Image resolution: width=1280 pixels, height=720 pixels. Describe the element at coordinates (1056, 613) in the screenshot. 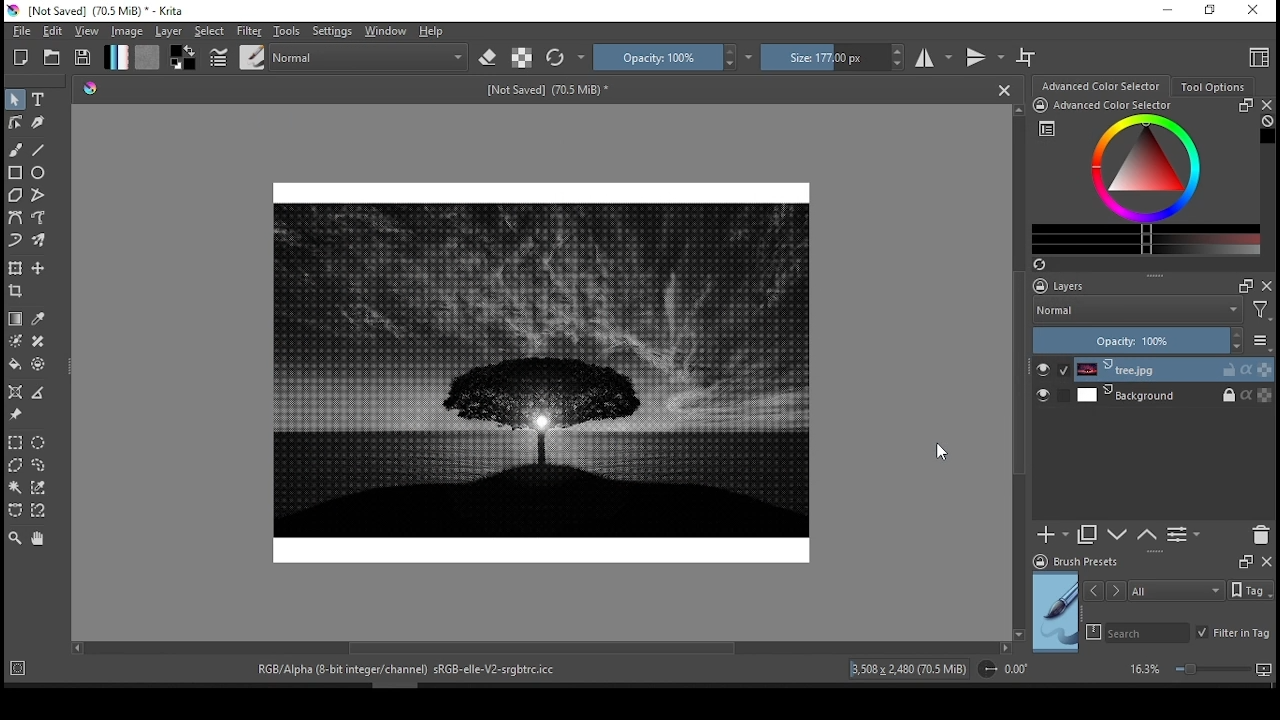

I see `preview` at that location.